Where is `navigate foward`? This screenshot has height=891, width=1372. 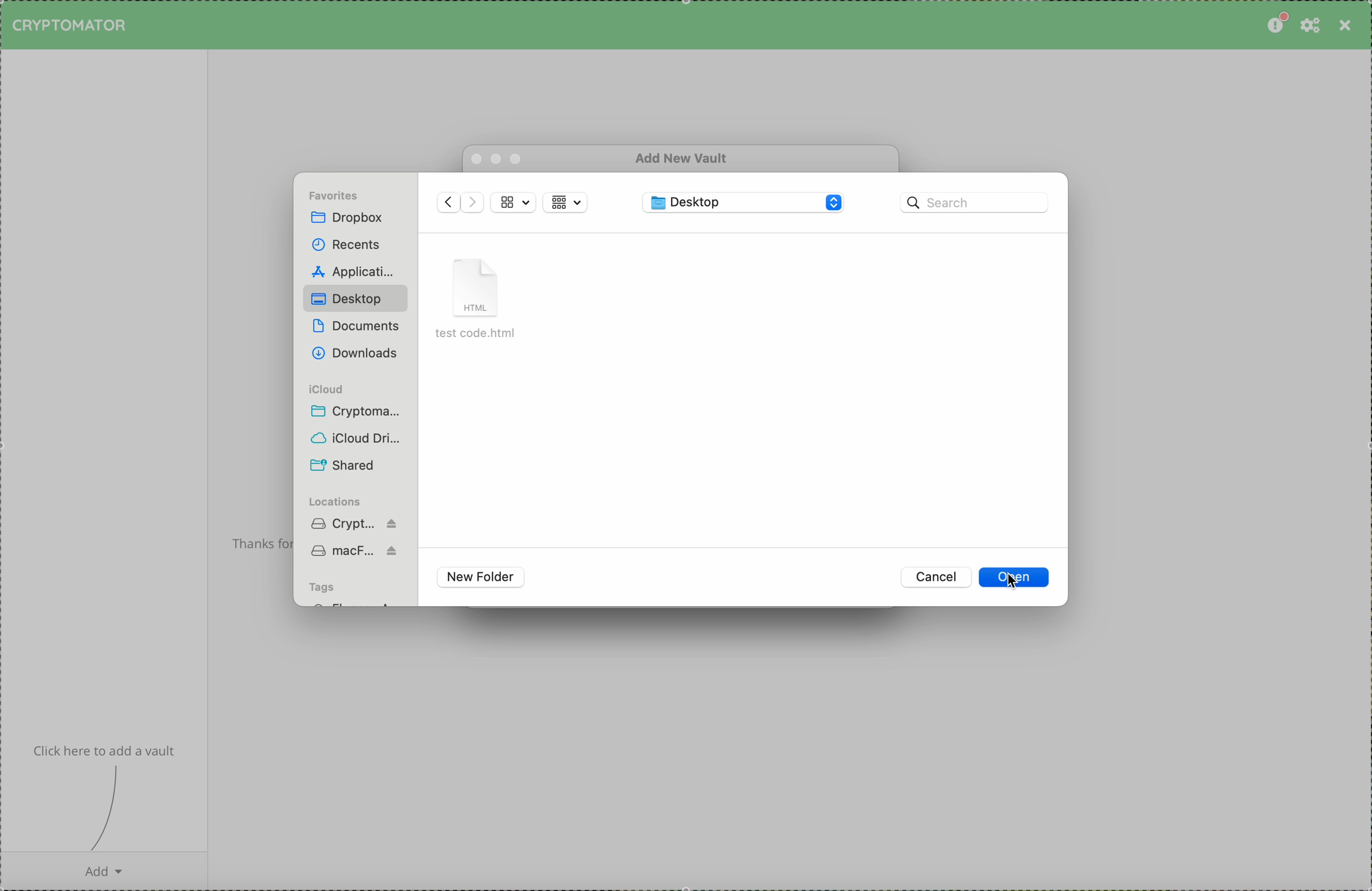
navigate foward is located at coordinates (474, 202).